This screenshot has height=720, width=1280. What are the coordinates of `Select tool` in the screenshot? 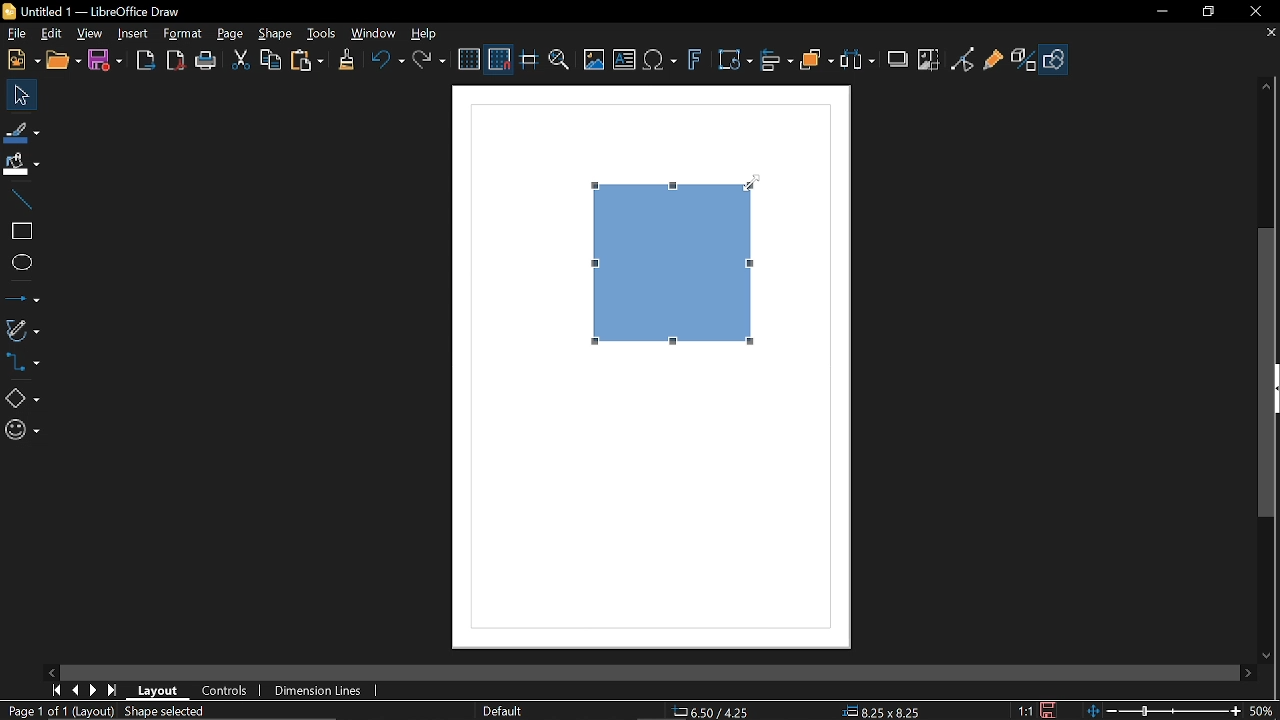 It's located at (18, 95).